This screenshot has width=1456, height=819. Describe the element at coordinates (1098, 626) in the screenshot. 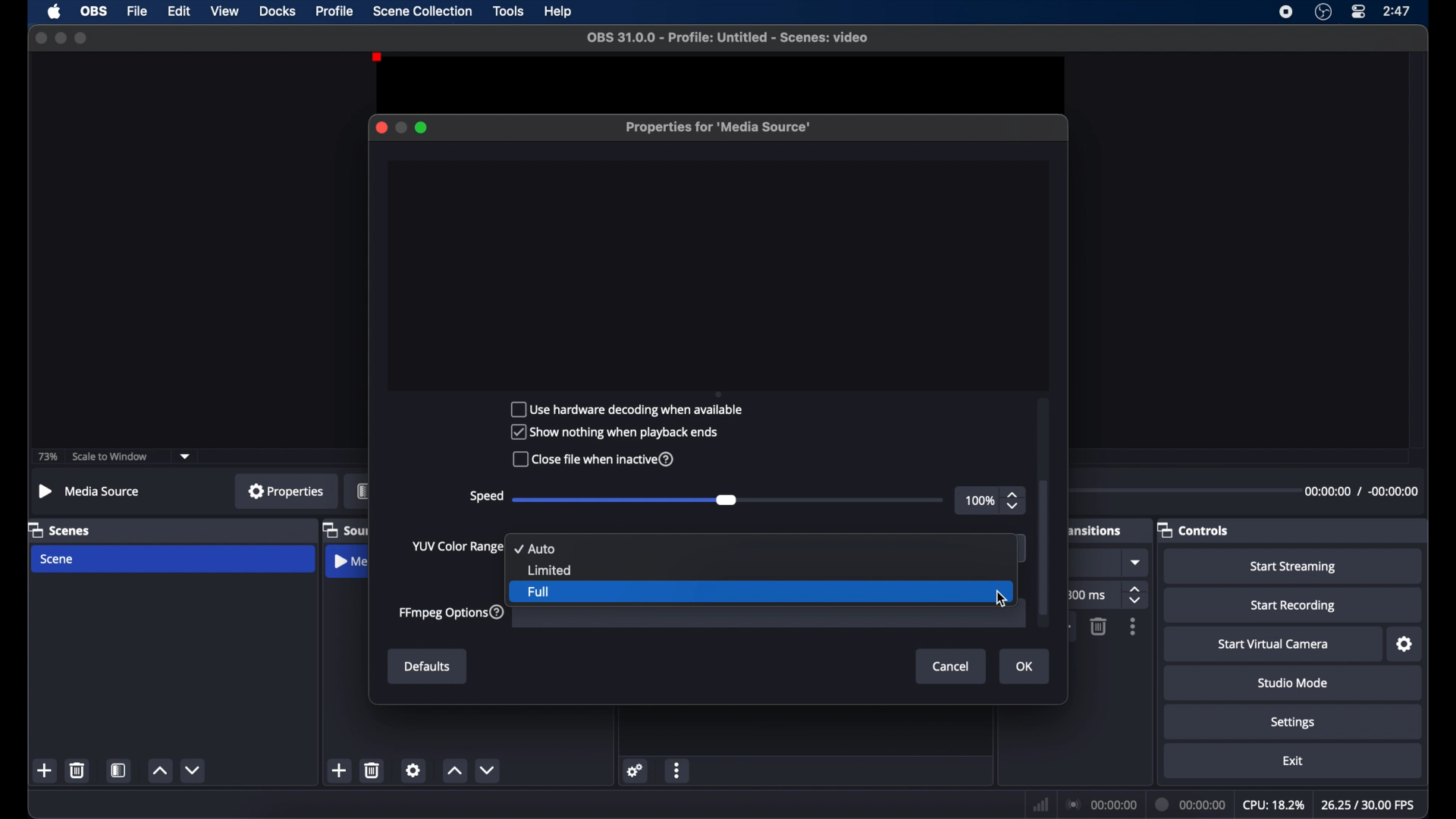

I see `delete` at that location.